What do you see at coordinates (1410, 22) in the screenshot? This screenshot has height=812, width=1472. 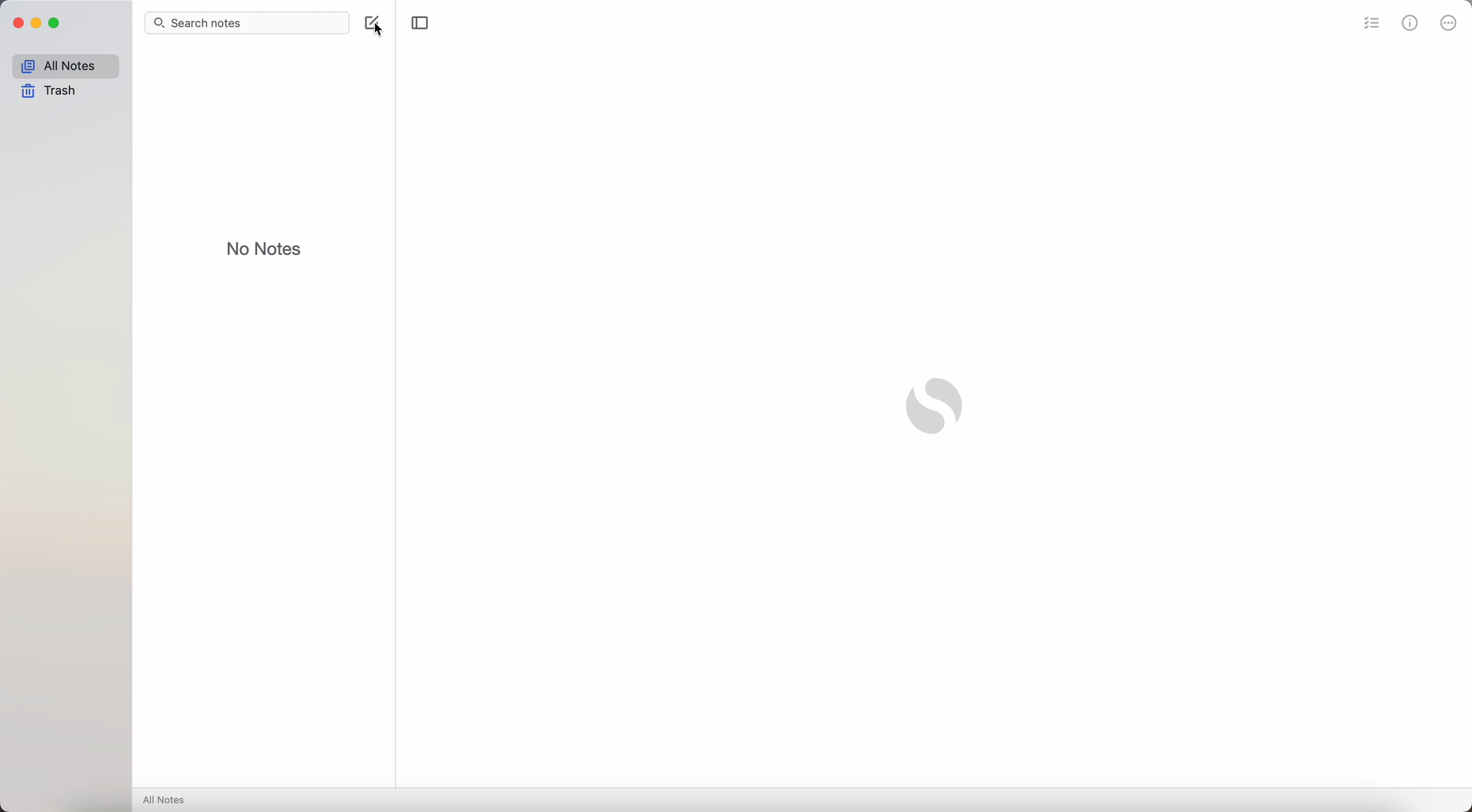 I see `metrics` at bounding box center [1410, 22].